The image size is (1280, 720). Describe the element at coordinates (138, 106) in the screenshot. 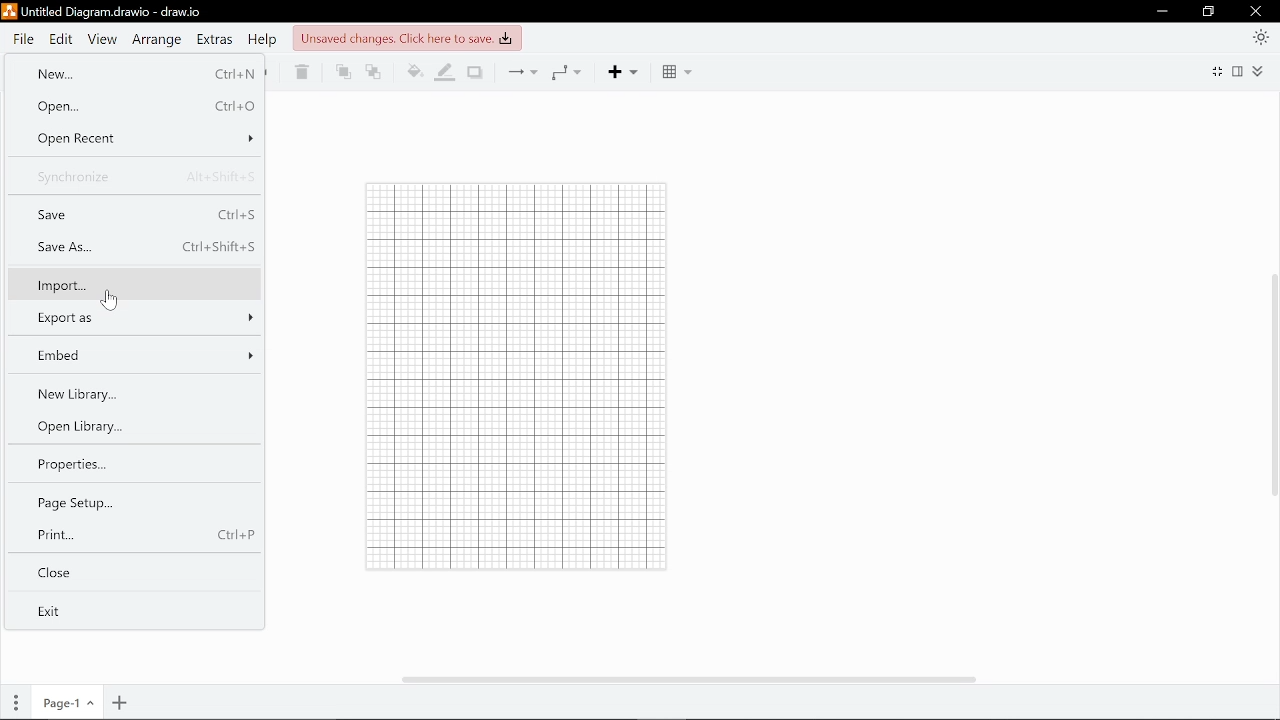

I see `Open` at that location.